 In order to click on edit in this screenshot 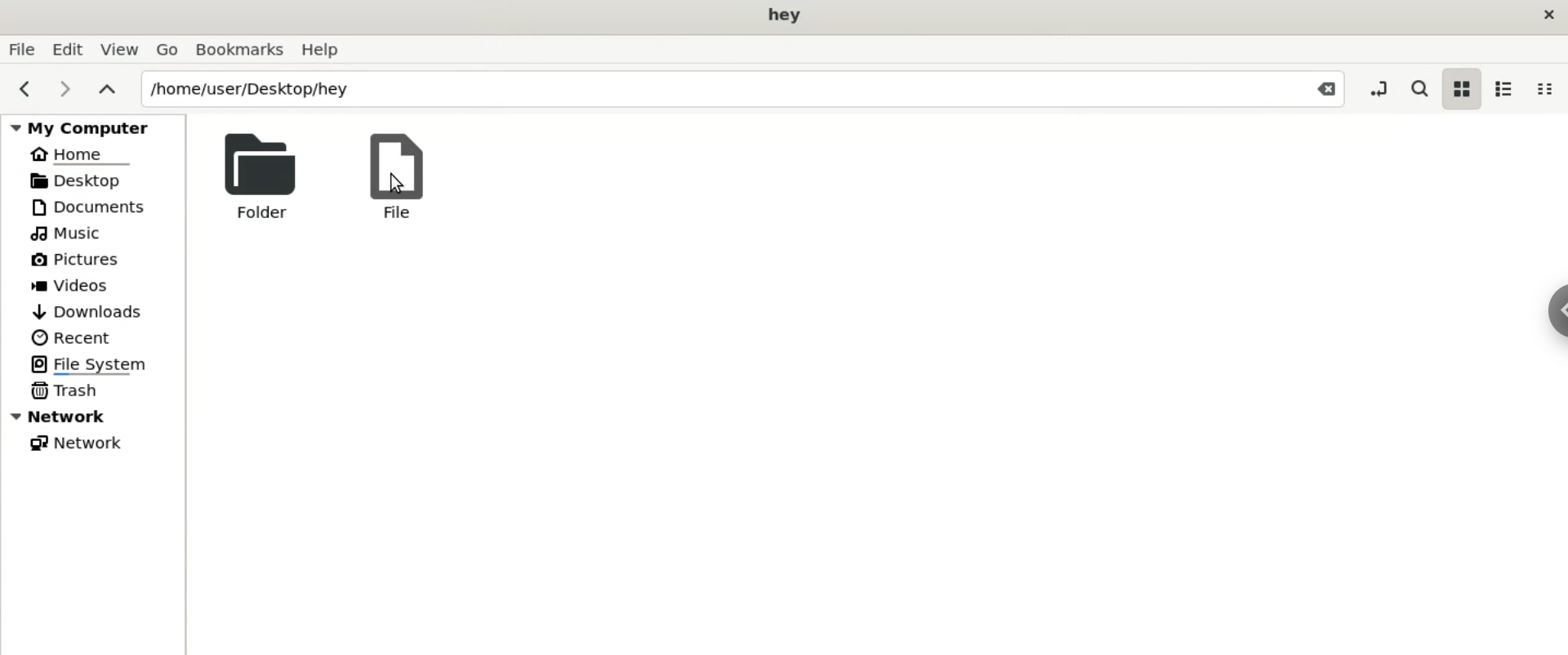, I will do `click(66, 49)`.